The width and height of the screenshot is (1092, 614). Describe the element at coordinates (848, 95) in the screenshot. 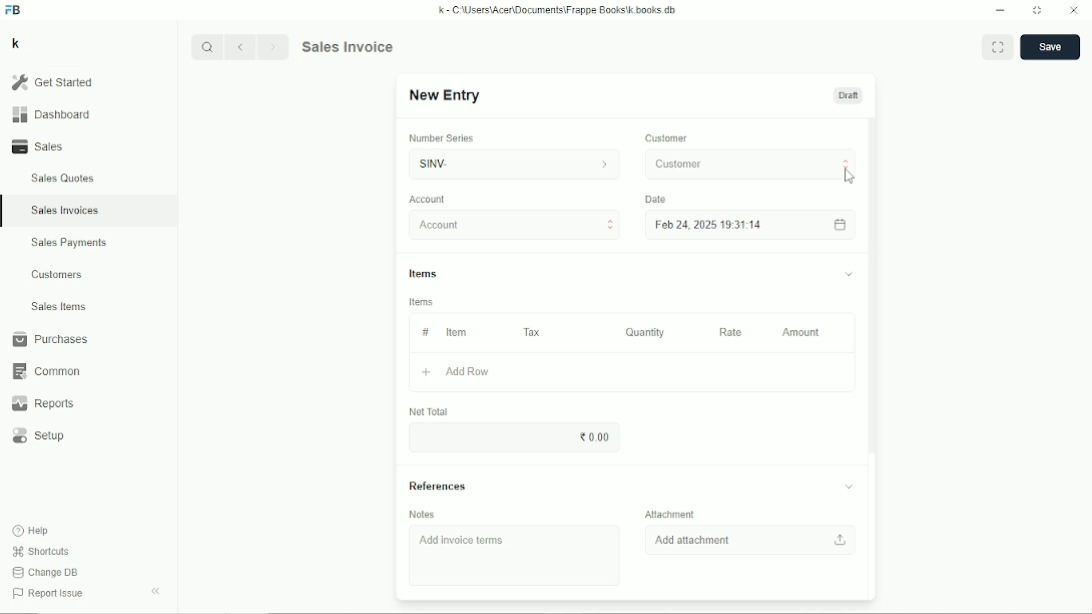

I see `Draft` at that location.